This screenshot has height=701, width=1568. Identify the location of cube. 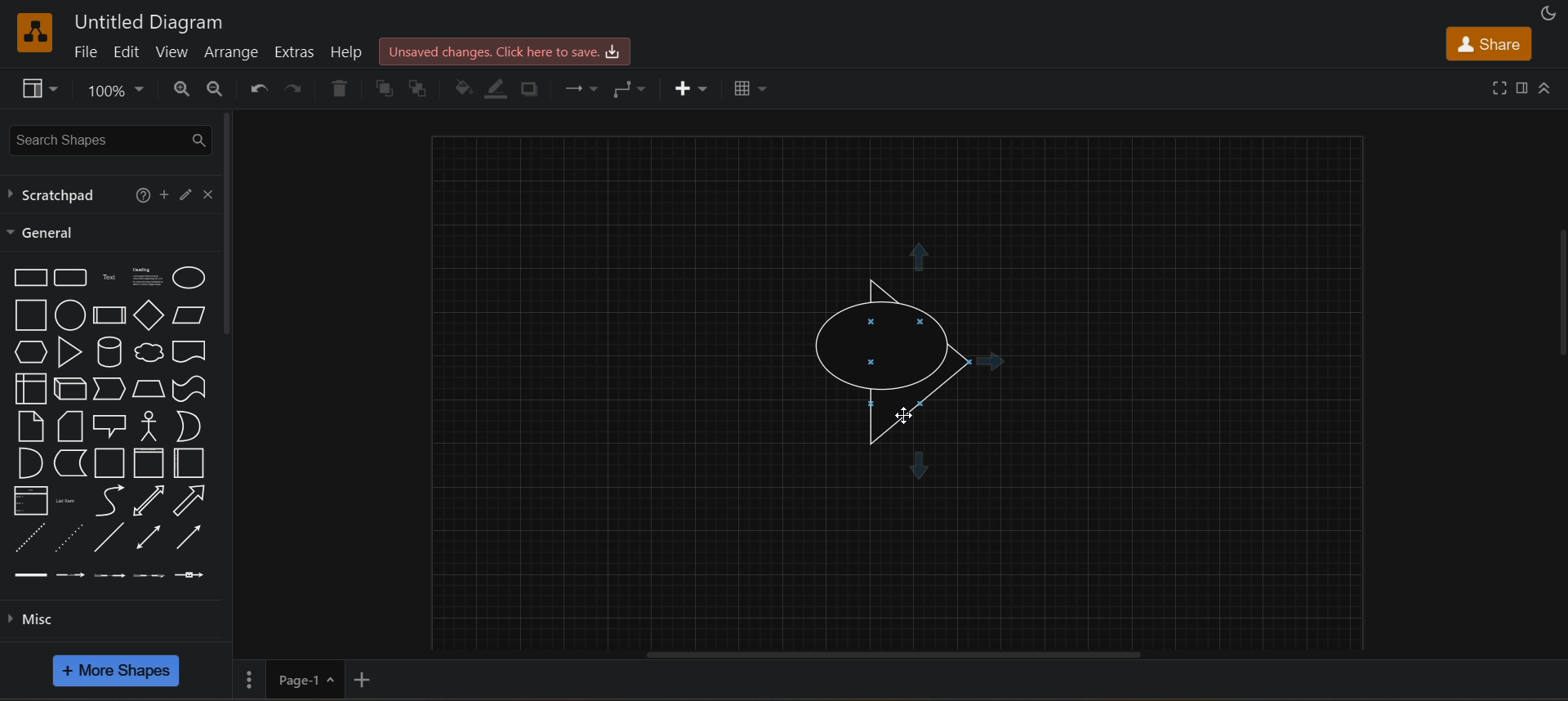
(71, 389).